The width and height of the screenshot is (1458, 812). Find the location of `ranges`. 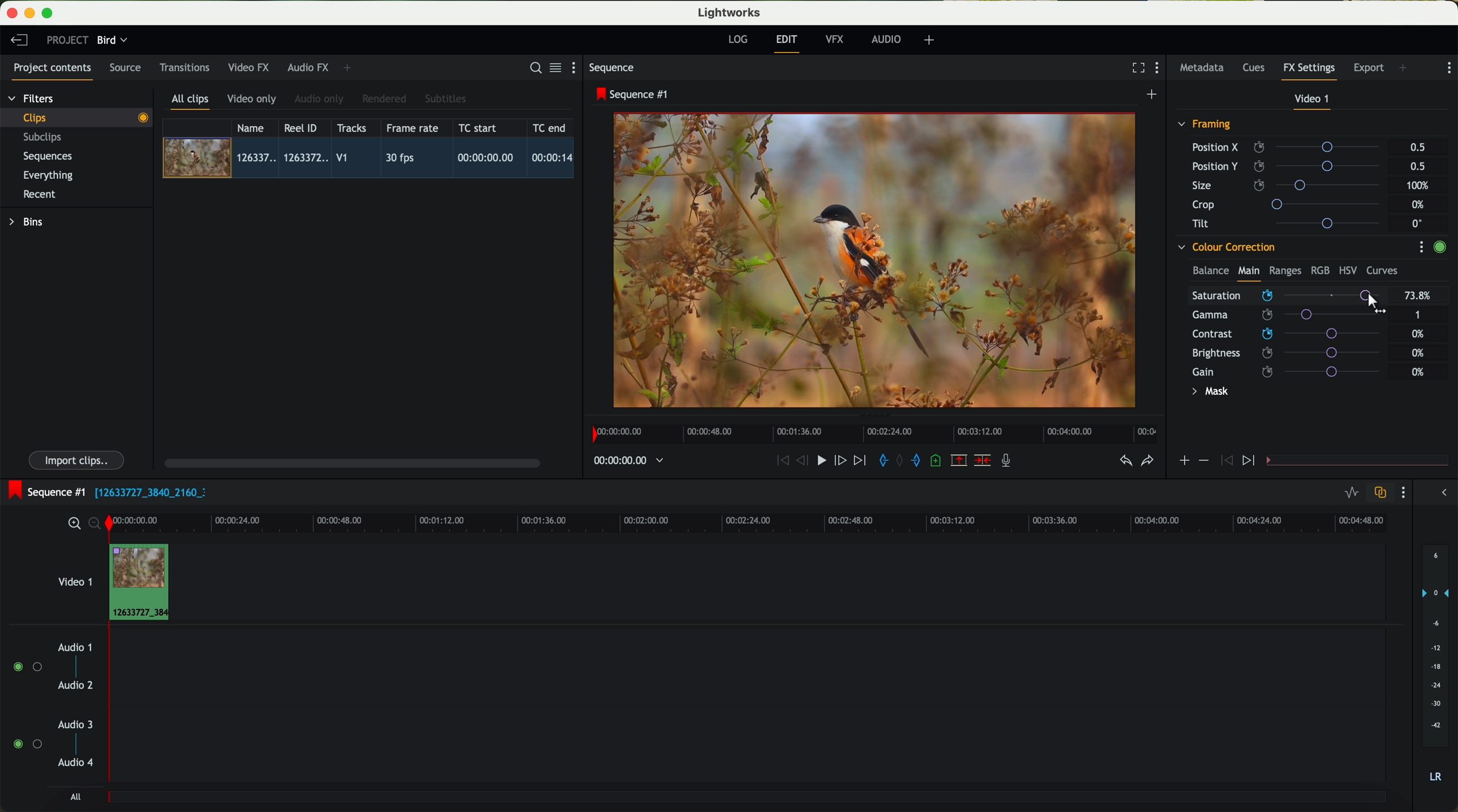

ranges is located at coordinates (1285, 270).